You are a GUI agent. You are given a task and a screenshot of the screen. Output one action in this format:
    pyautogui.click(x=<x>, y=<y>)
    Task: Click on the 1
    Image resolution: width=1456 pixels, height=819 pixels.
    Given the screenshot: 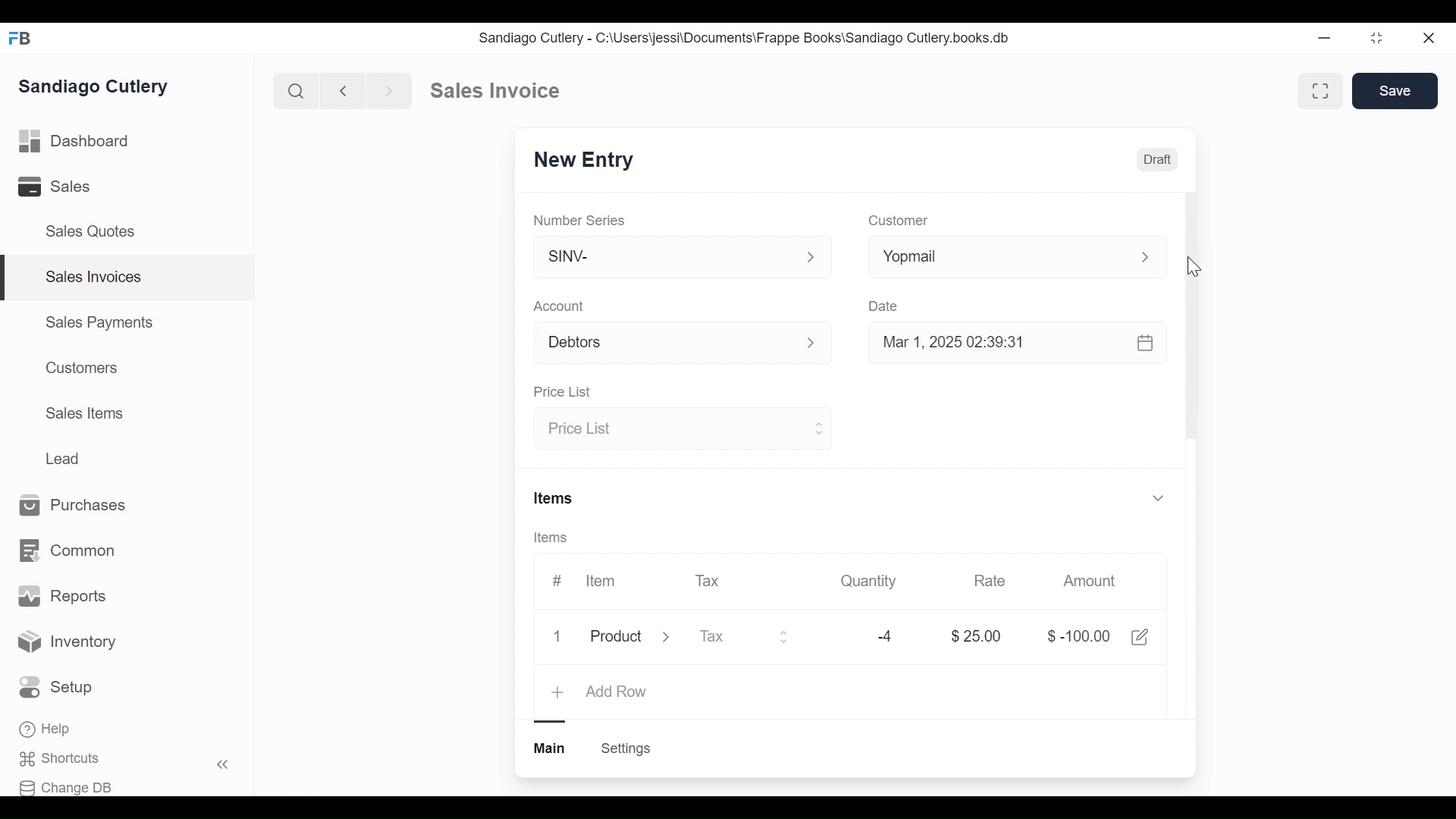 What is the action you would take?
    pyautogui.click(x=558, y=635)
    